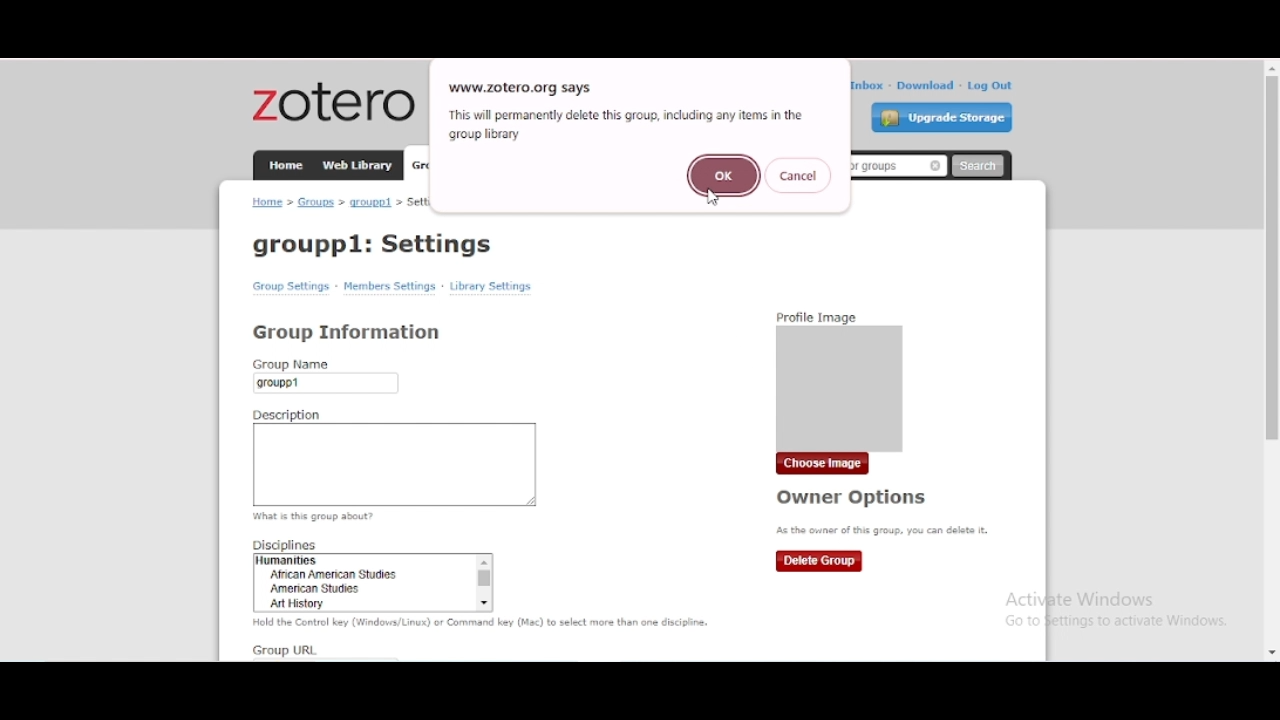 The height and width of the screenshot is (720, 1280). What do you see at coordinates (841, 377) in the screenshot?
I see `profile image` at bounding box center [841, 377].